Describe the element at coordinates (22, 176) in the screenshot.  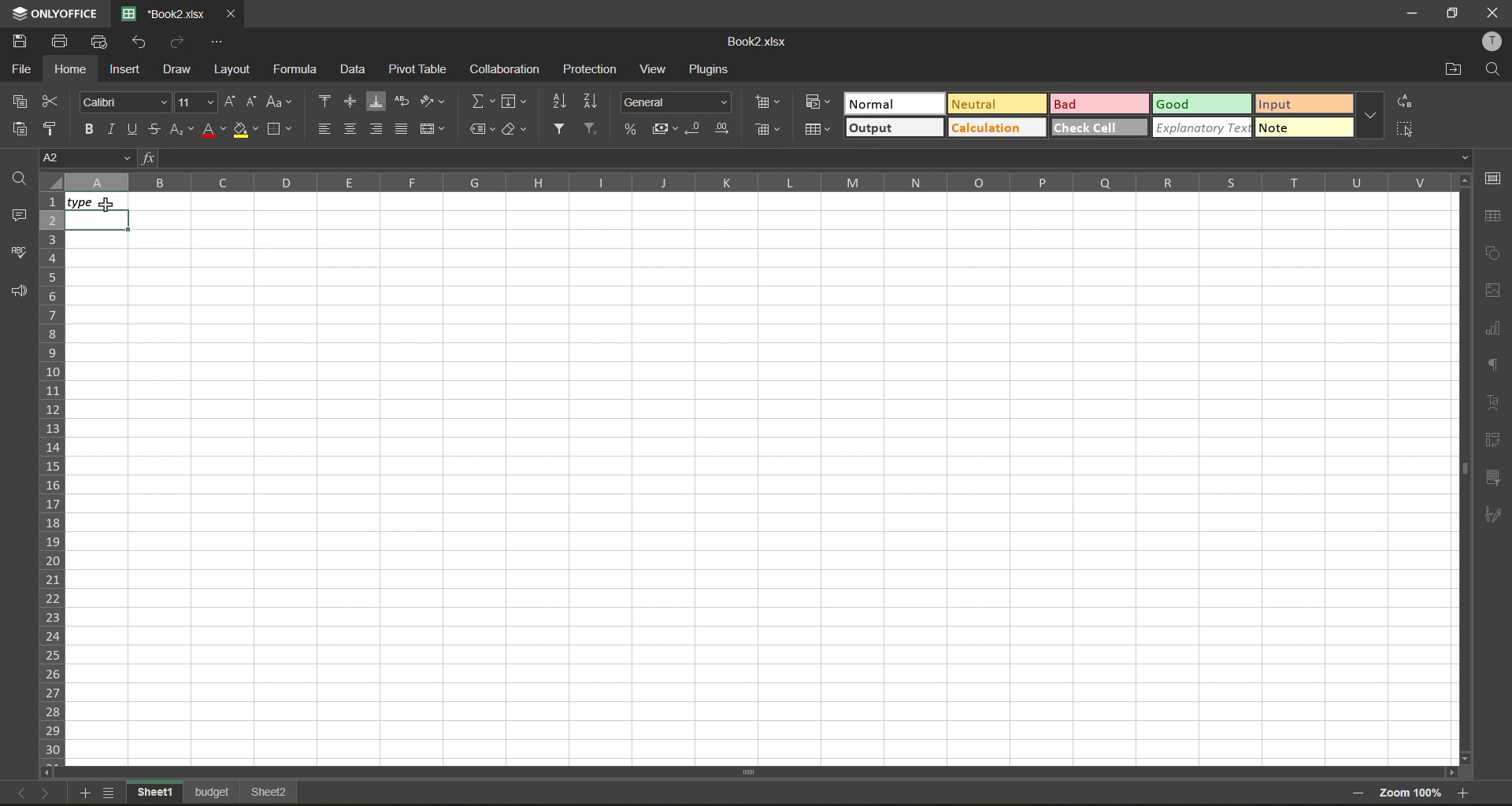
I see `find` at that location.